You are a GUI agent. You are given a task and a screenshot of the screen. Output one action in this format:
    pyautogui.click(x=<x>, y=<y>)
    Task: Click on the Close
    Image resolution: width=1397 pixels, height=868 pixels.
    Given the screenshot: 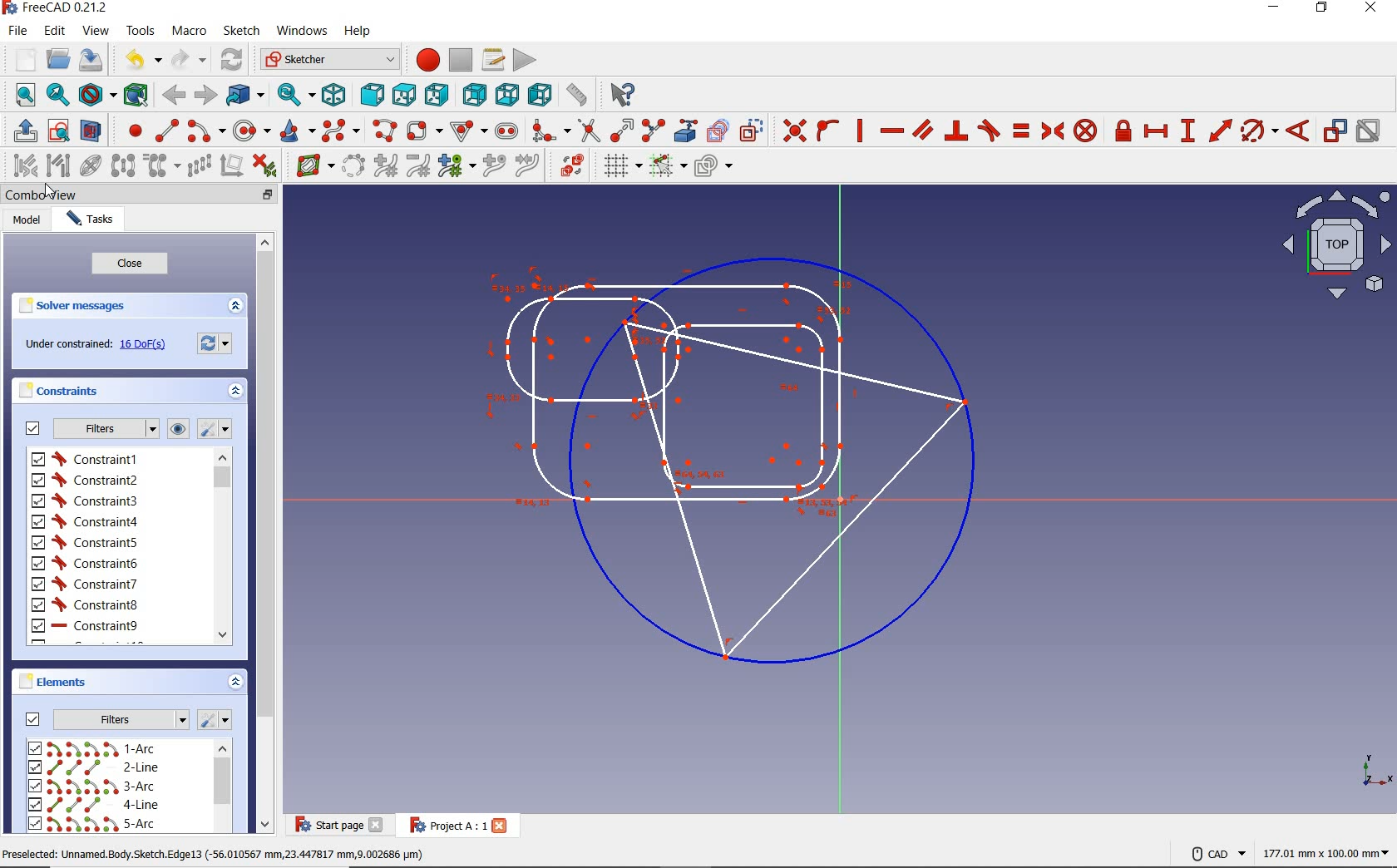 What is the action you would take?
    pyautogui.click(x=500, y=825)
    